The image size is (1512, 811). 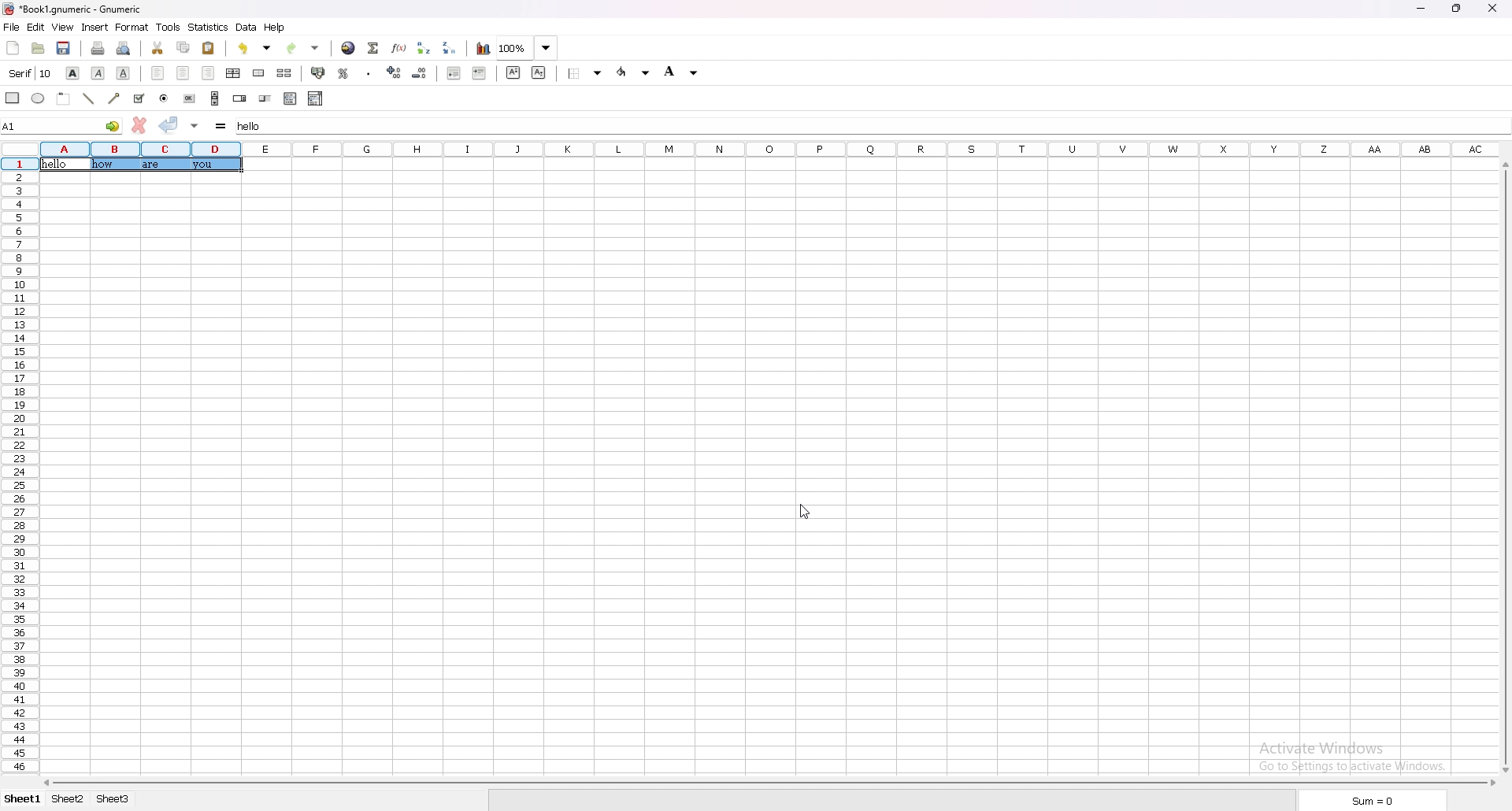 I want to click on help, so click(x=276, y=28).